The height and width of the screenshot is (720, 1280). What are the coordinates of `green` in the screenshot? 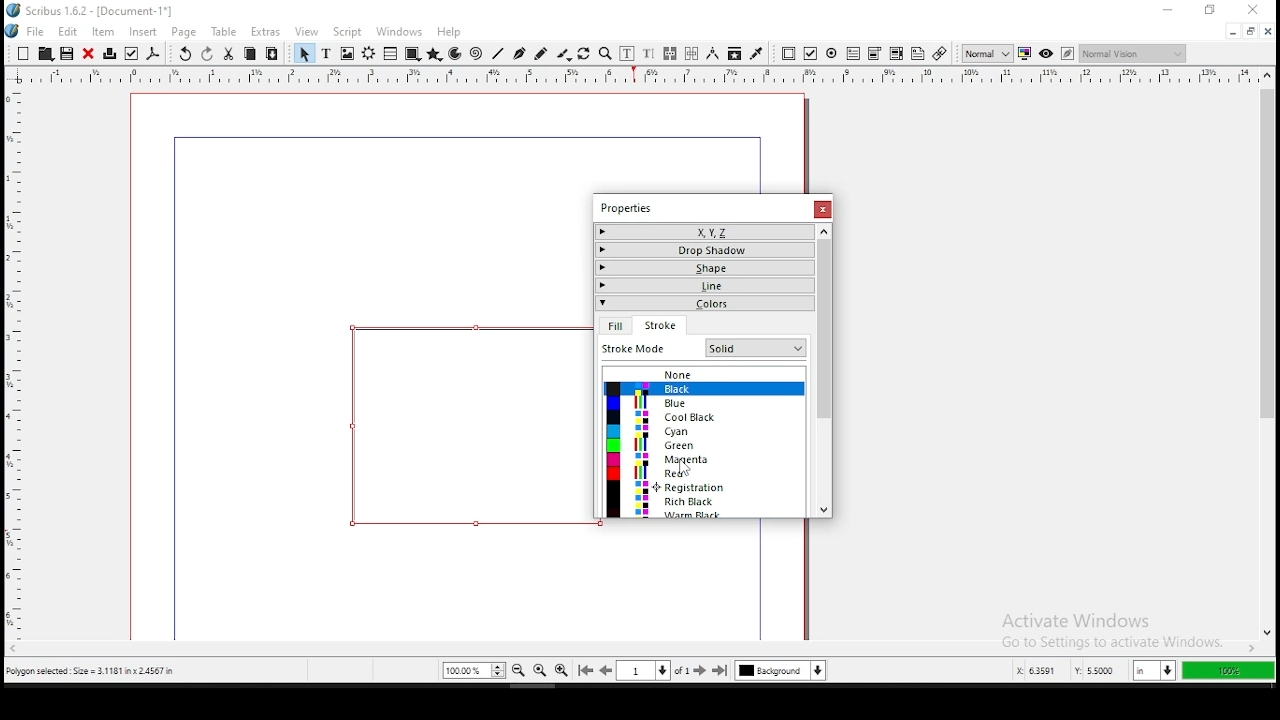 It's located at (704, 446).